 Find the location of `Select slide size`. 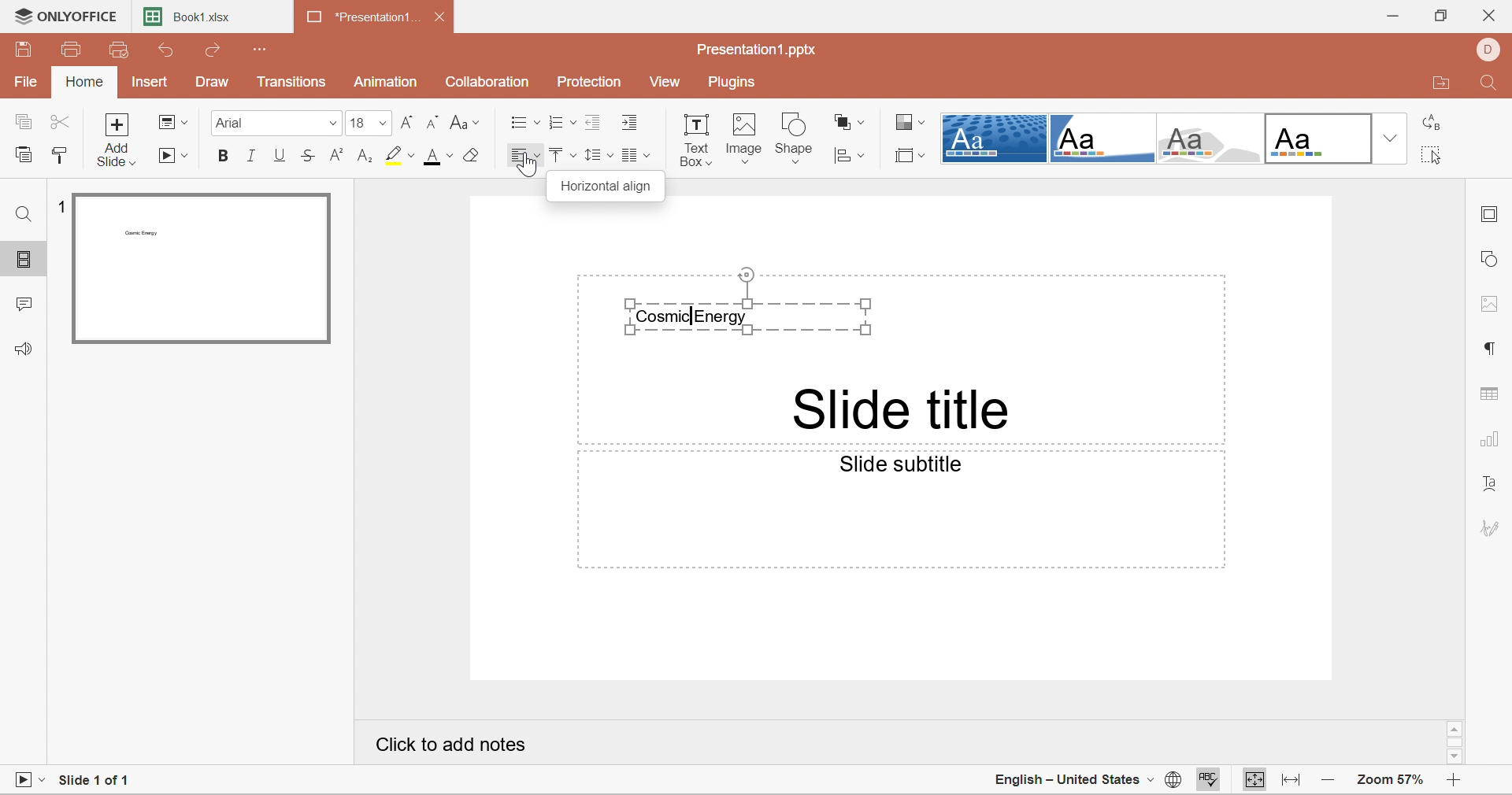

Select slide size is located at coordinates (908, 156).